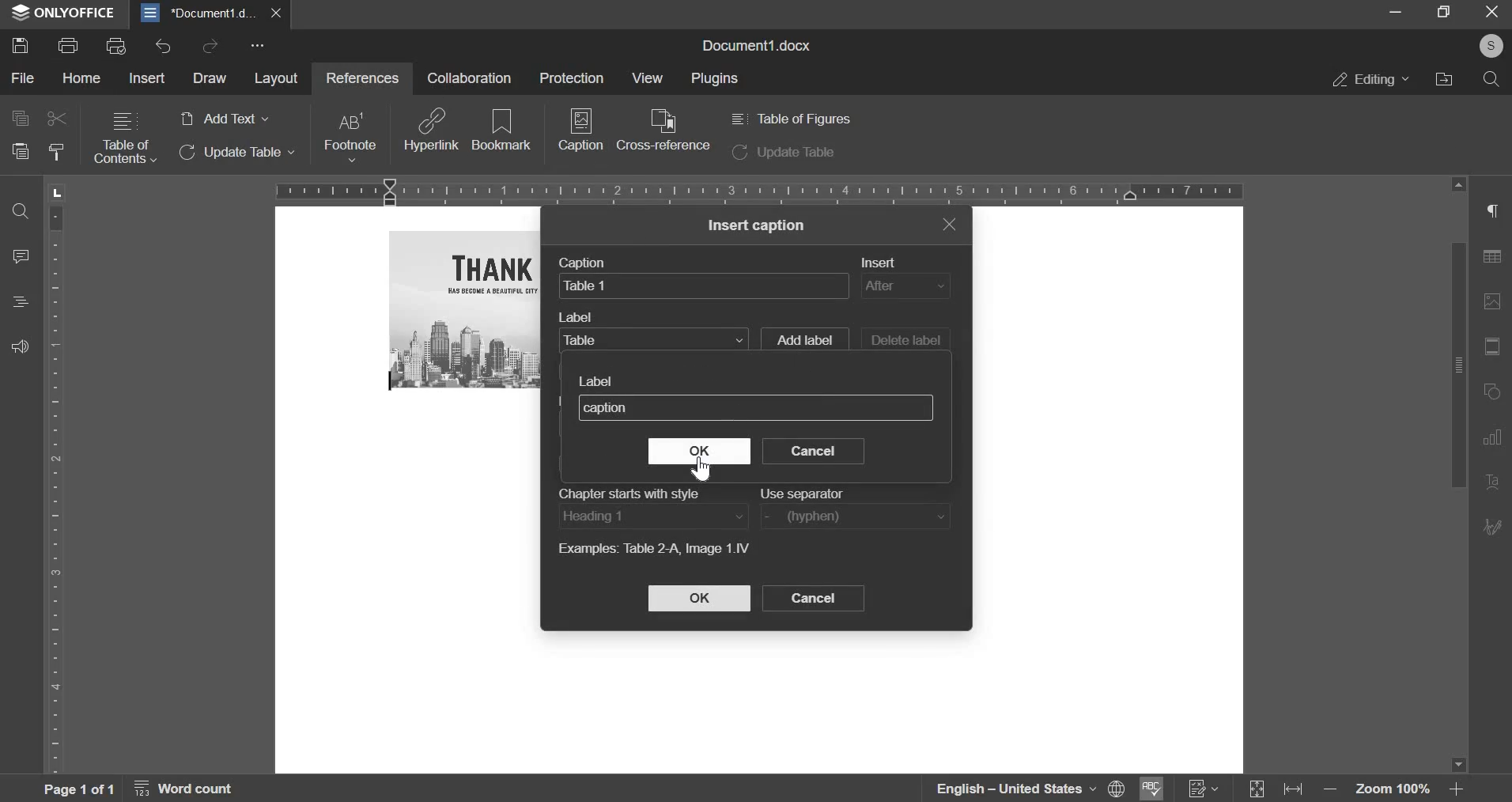 This screenshot has height=802, width=1512. Describe the element at coordinates (576, 316) in the screenshot. I see `Label` at that location.